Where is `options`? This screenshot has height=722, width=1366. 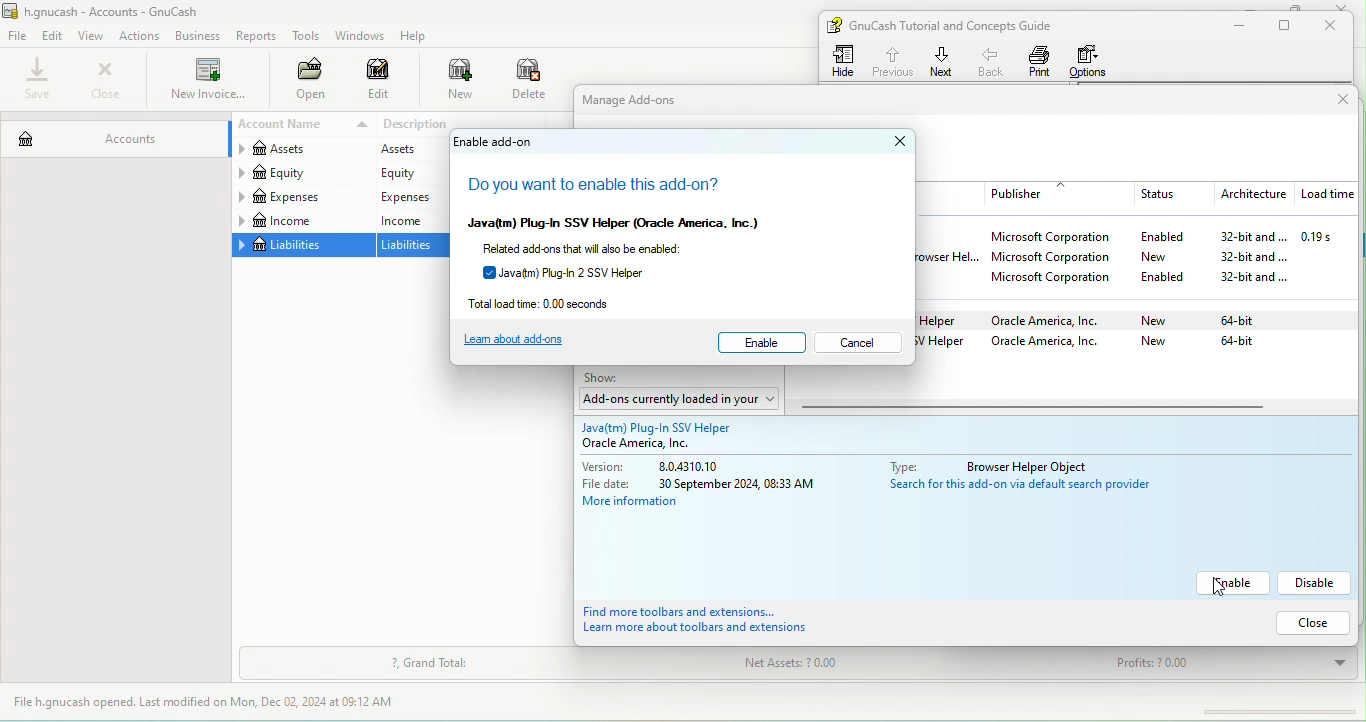
options is located at coordinates (1093, 61).